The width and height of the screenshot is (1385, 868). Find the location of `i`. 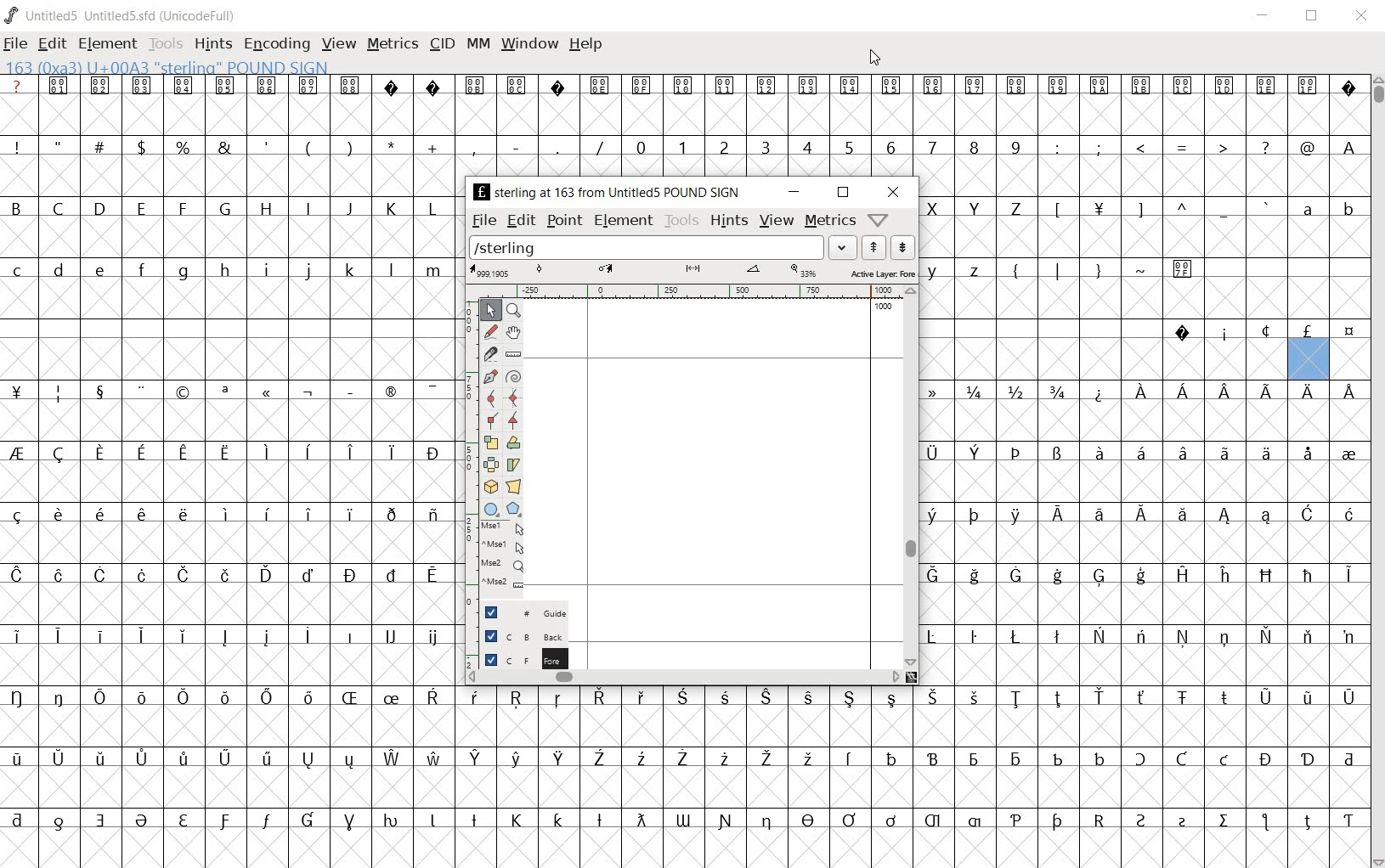

i is located at coordinates (266, 271).